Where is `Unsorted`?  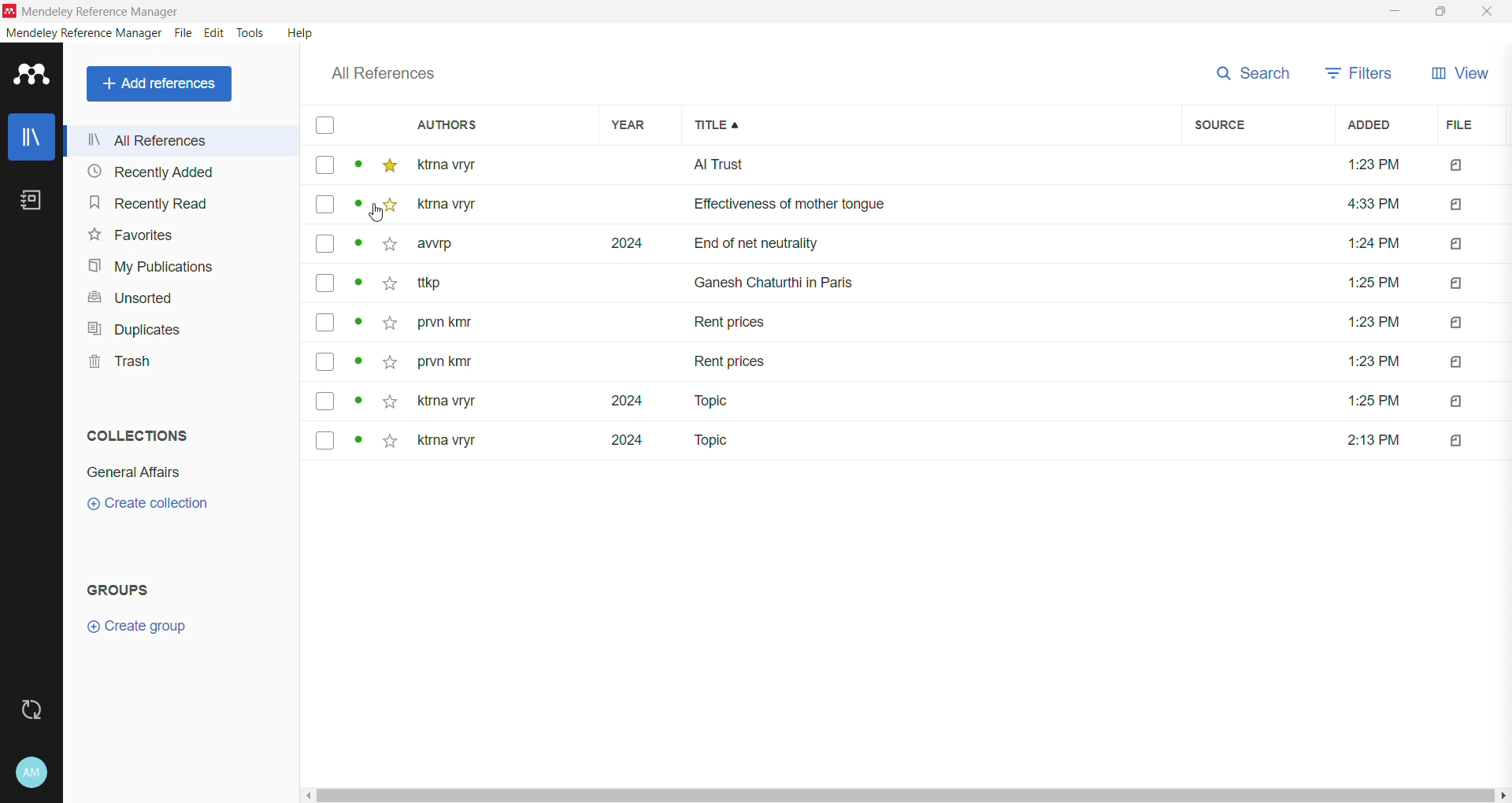 Unsorted is located at coordinates (136, 299).